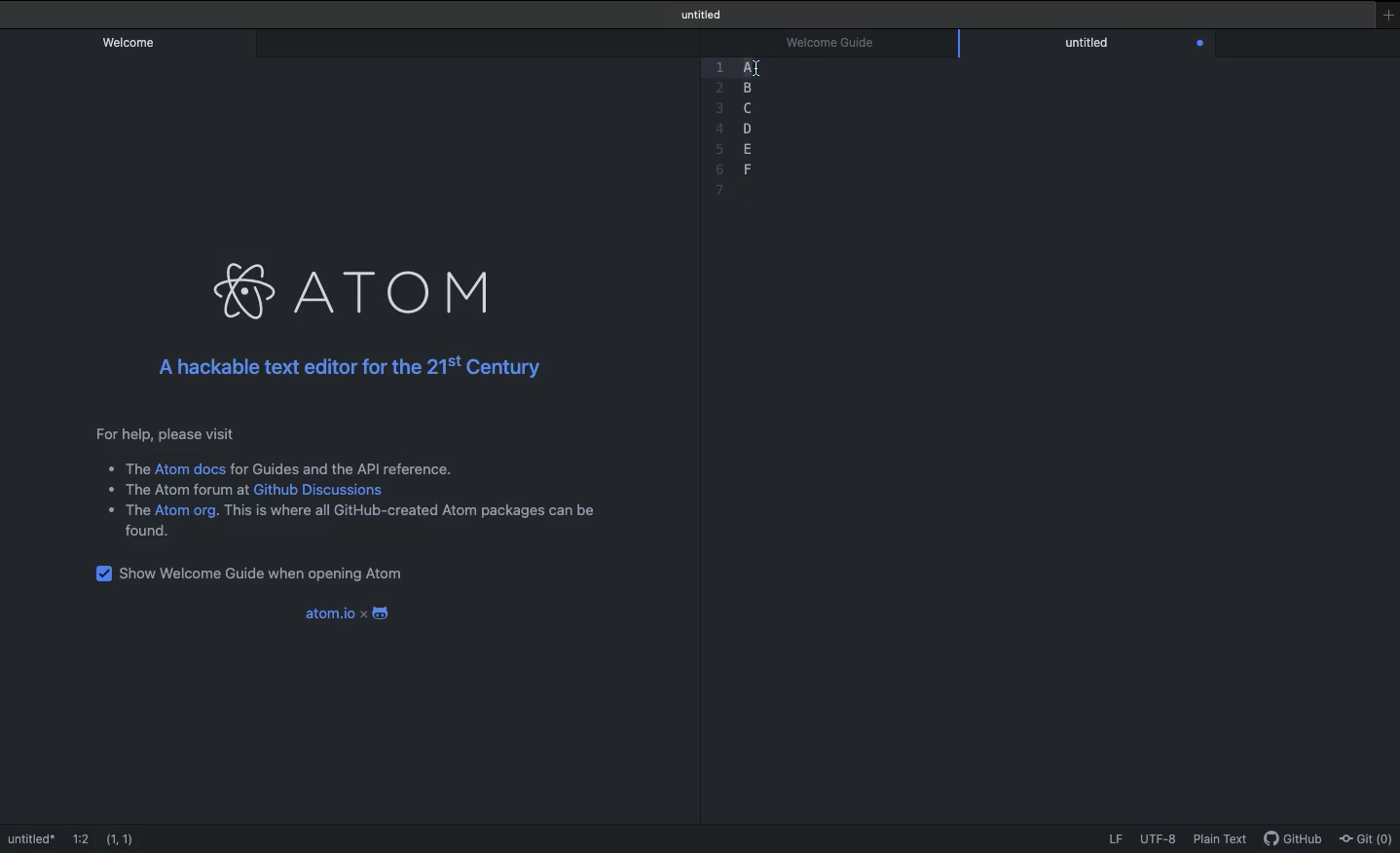 Image resolution: width=1400 pixels, height=853 pixels. What do you see at coordinates (122, 837) in the screenshot?
I see `(1,1)` at bounding box center [122, 837].